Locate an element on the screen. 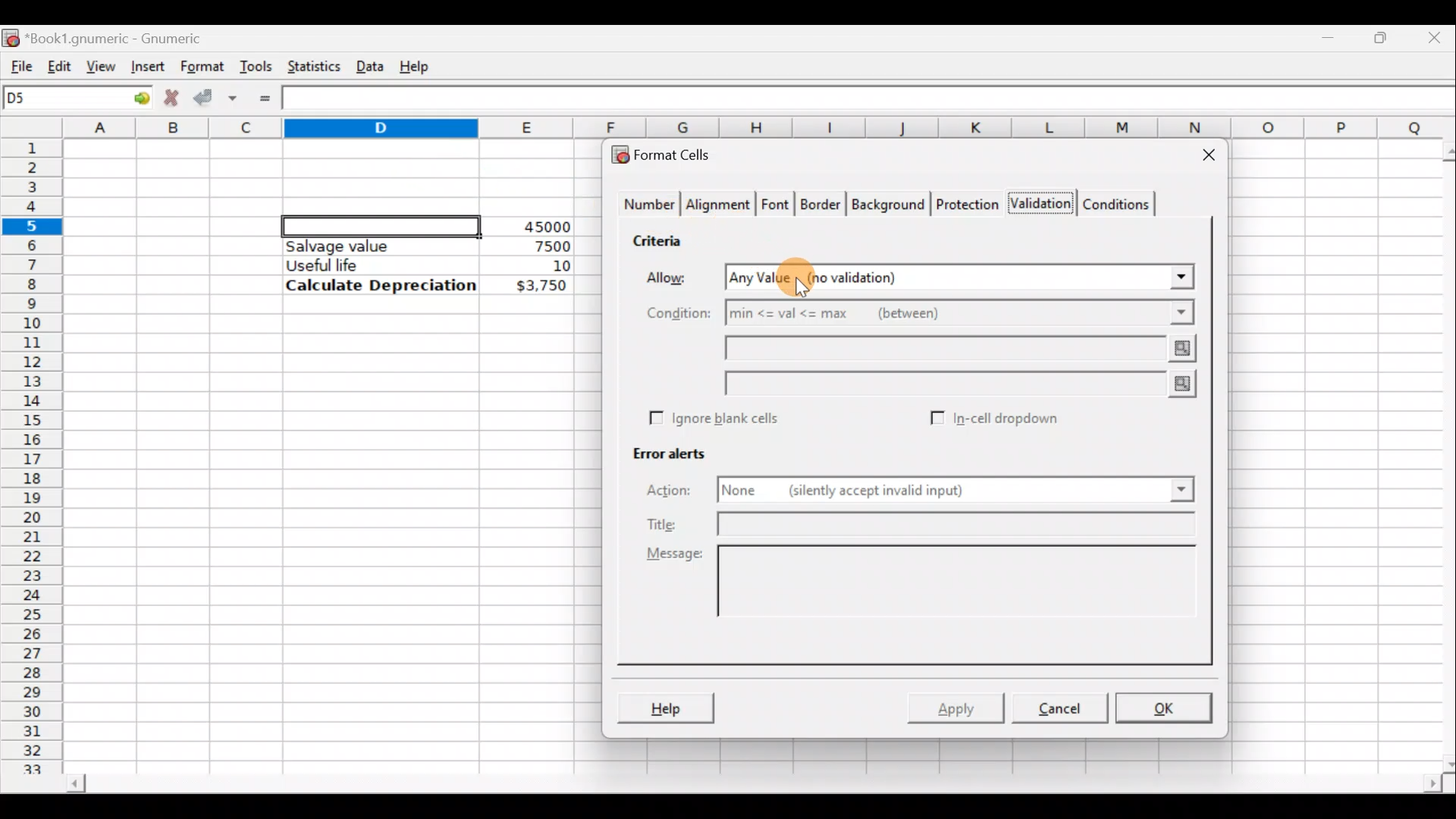  Rows is located at coordinates (33, 448).